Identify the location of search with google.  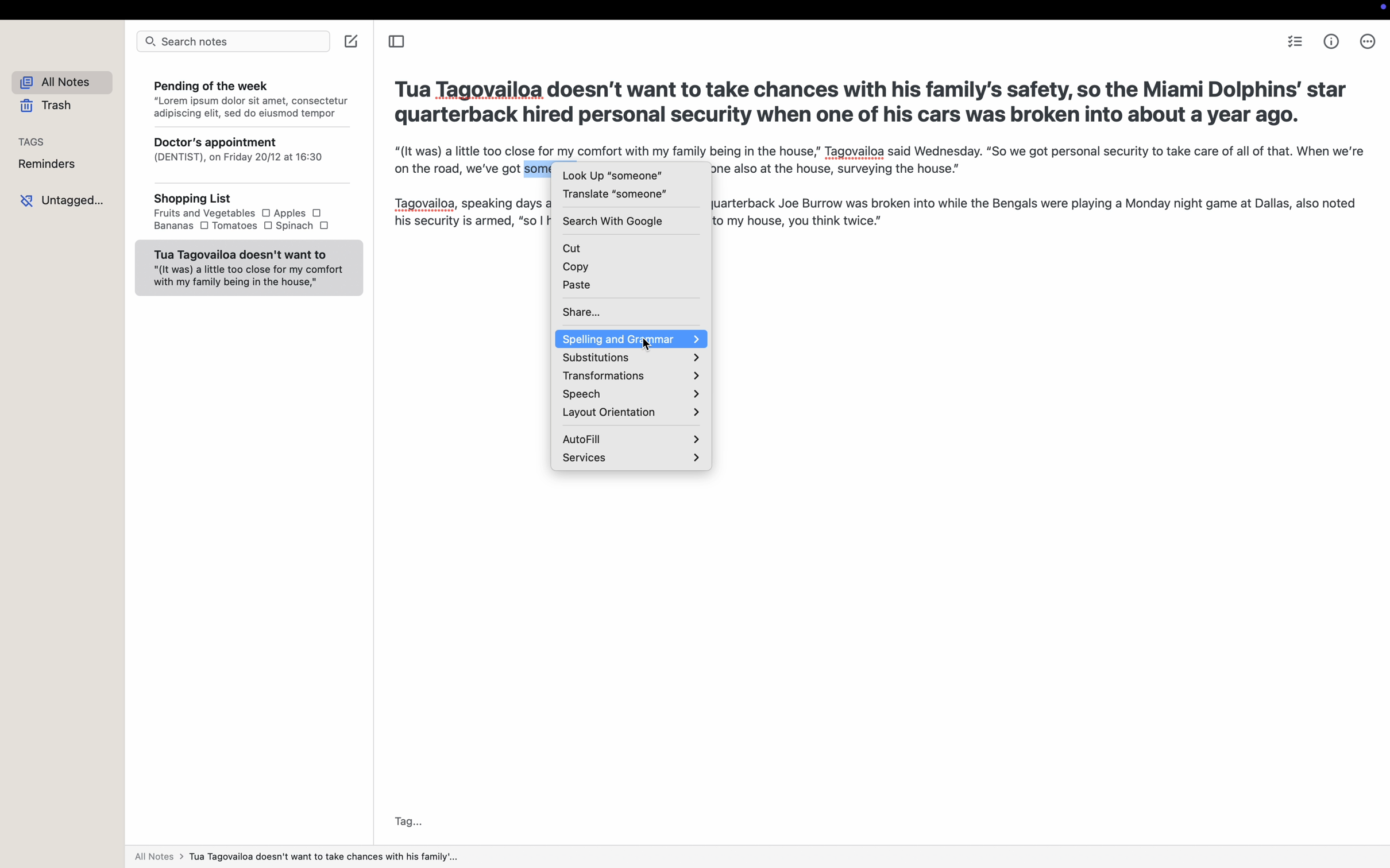
(613, 220).